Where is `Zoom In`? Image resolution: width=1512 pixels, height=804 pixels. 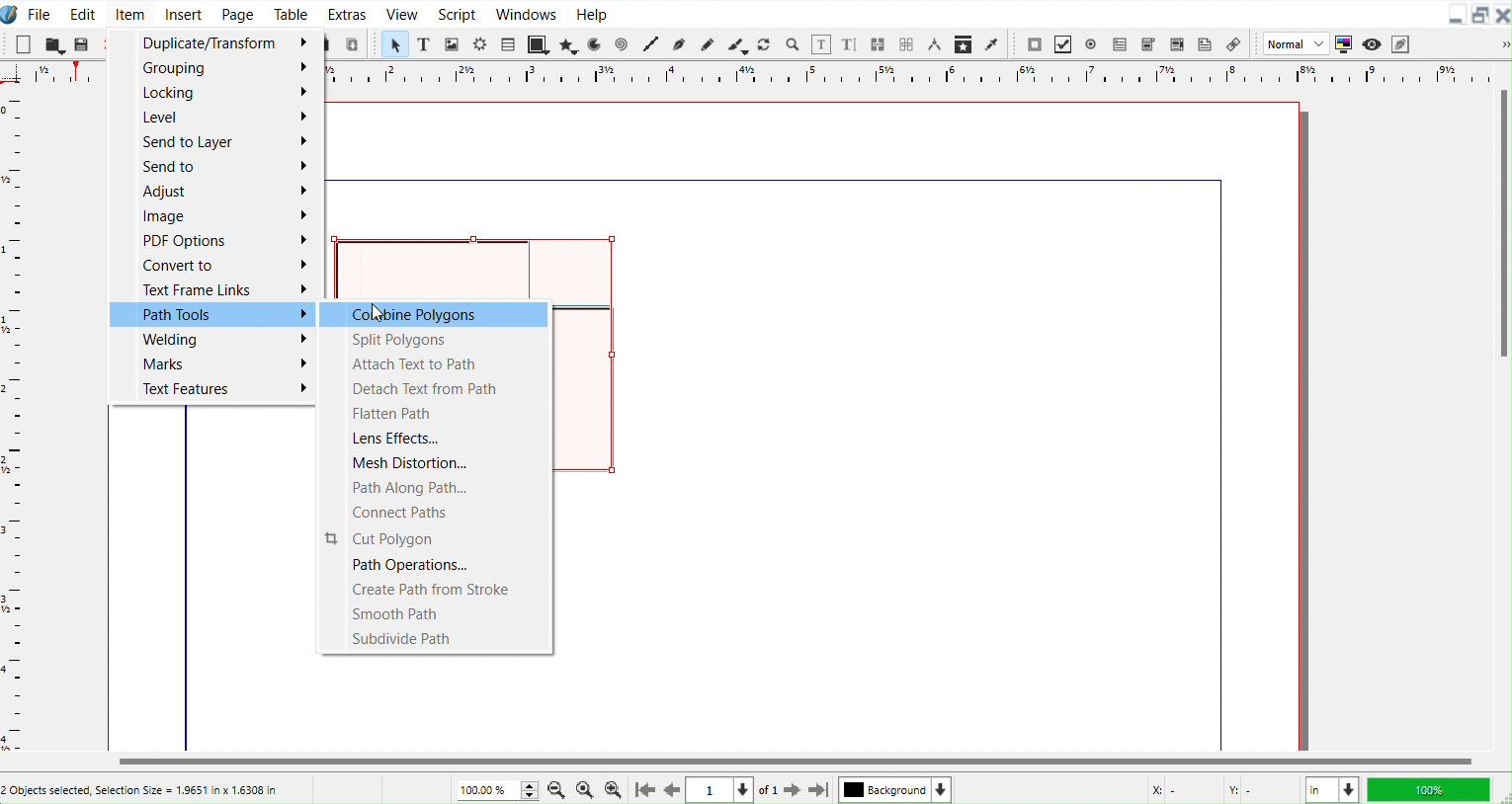
Zoom In is located at coordinates (615, 790).